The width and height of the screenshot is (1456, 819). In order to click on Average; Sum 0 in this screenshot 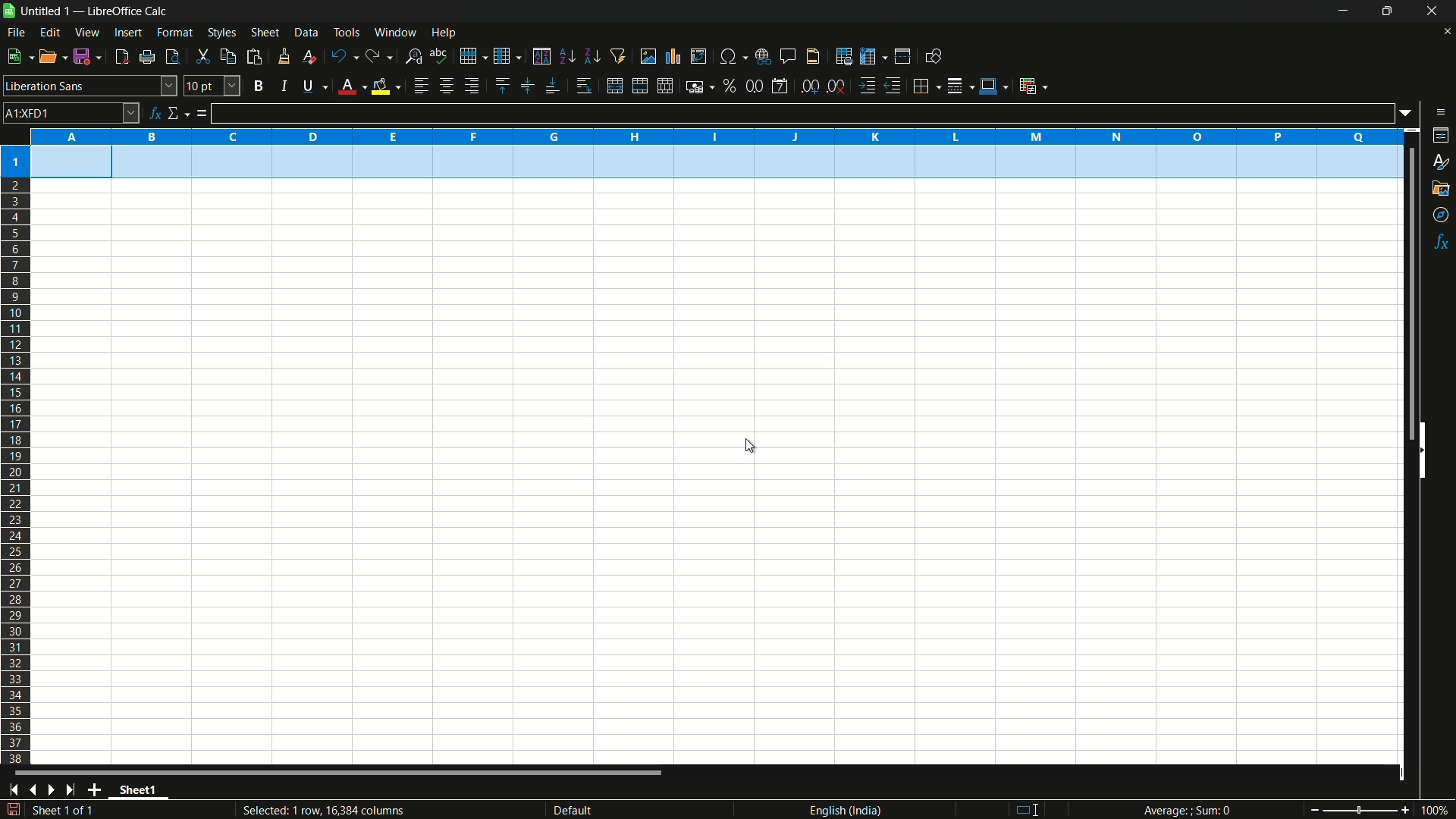, I will do `click(1188, 811)`.